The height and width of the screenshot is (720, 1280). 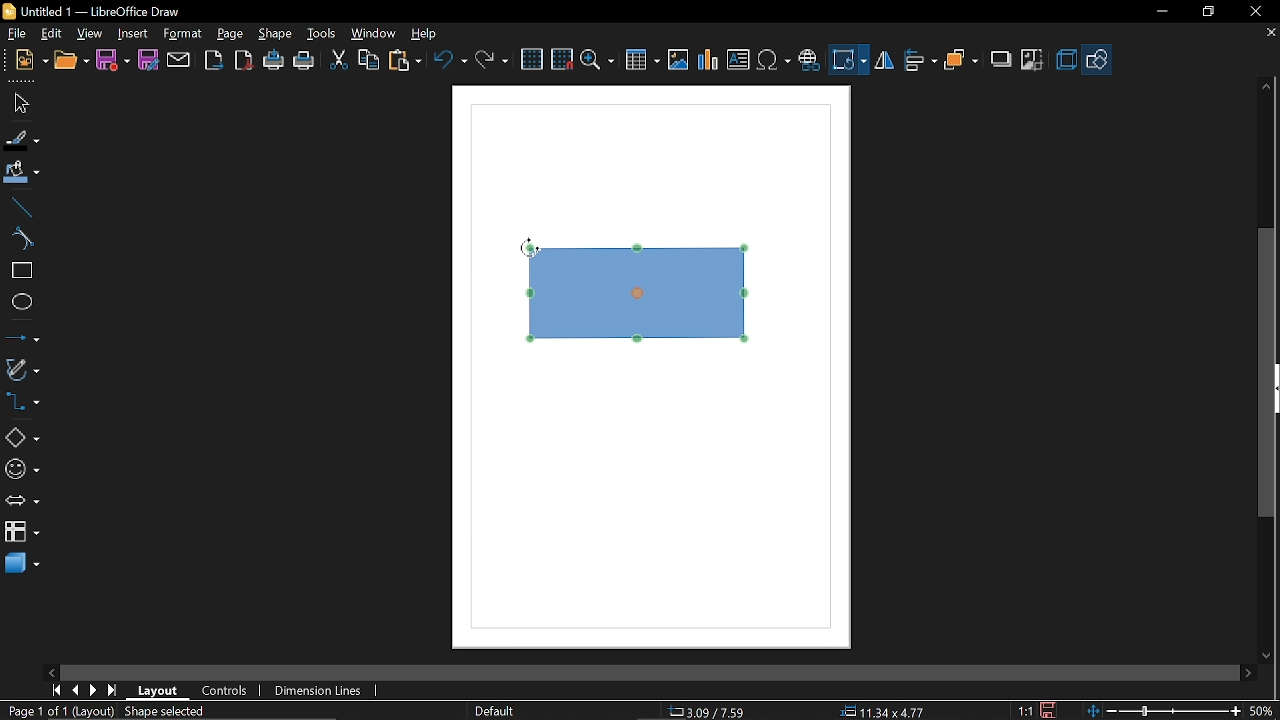 I want to click on UNdo, so click(x=452, y=59).